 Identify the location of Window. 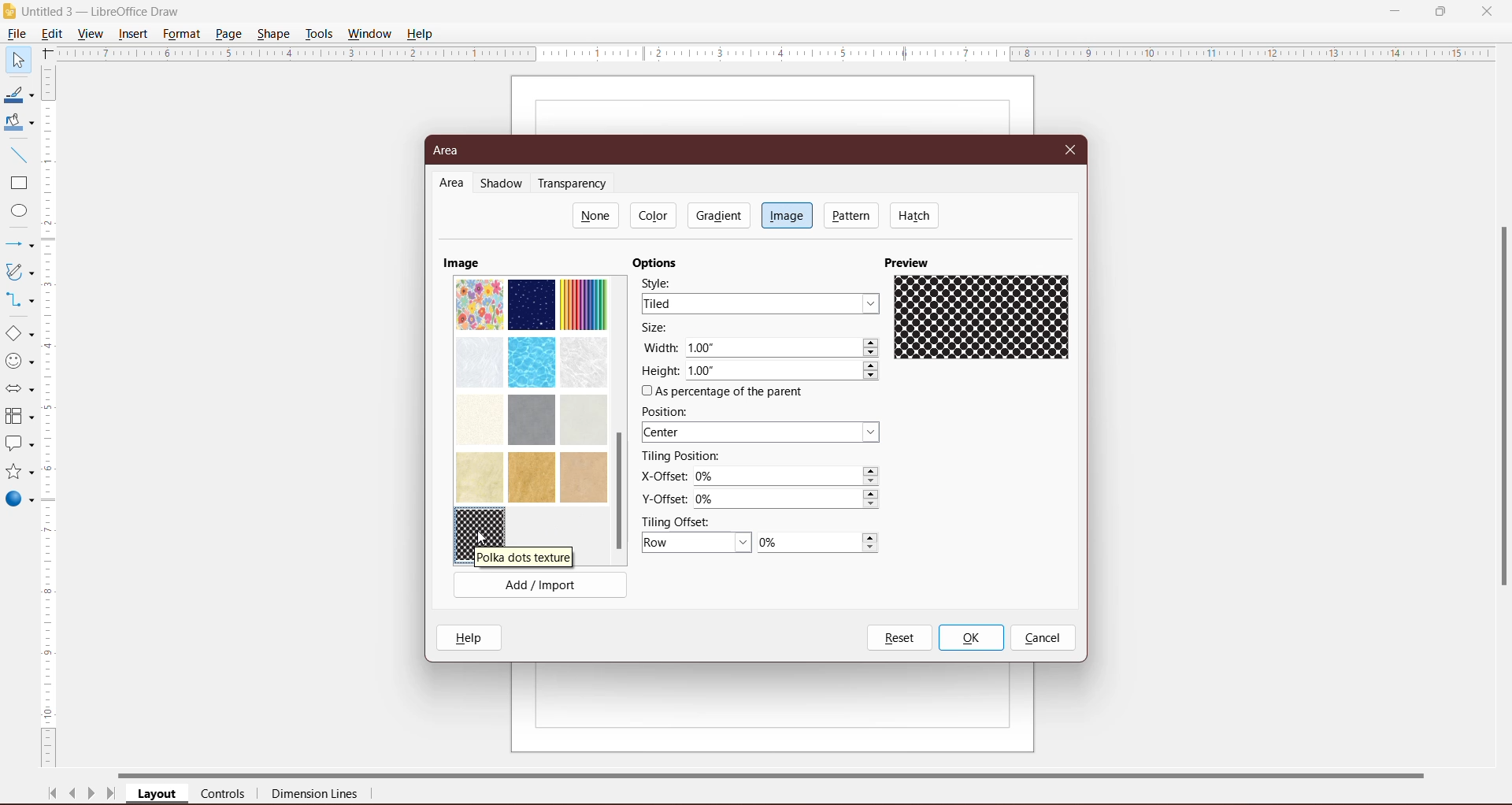
(369, 34).